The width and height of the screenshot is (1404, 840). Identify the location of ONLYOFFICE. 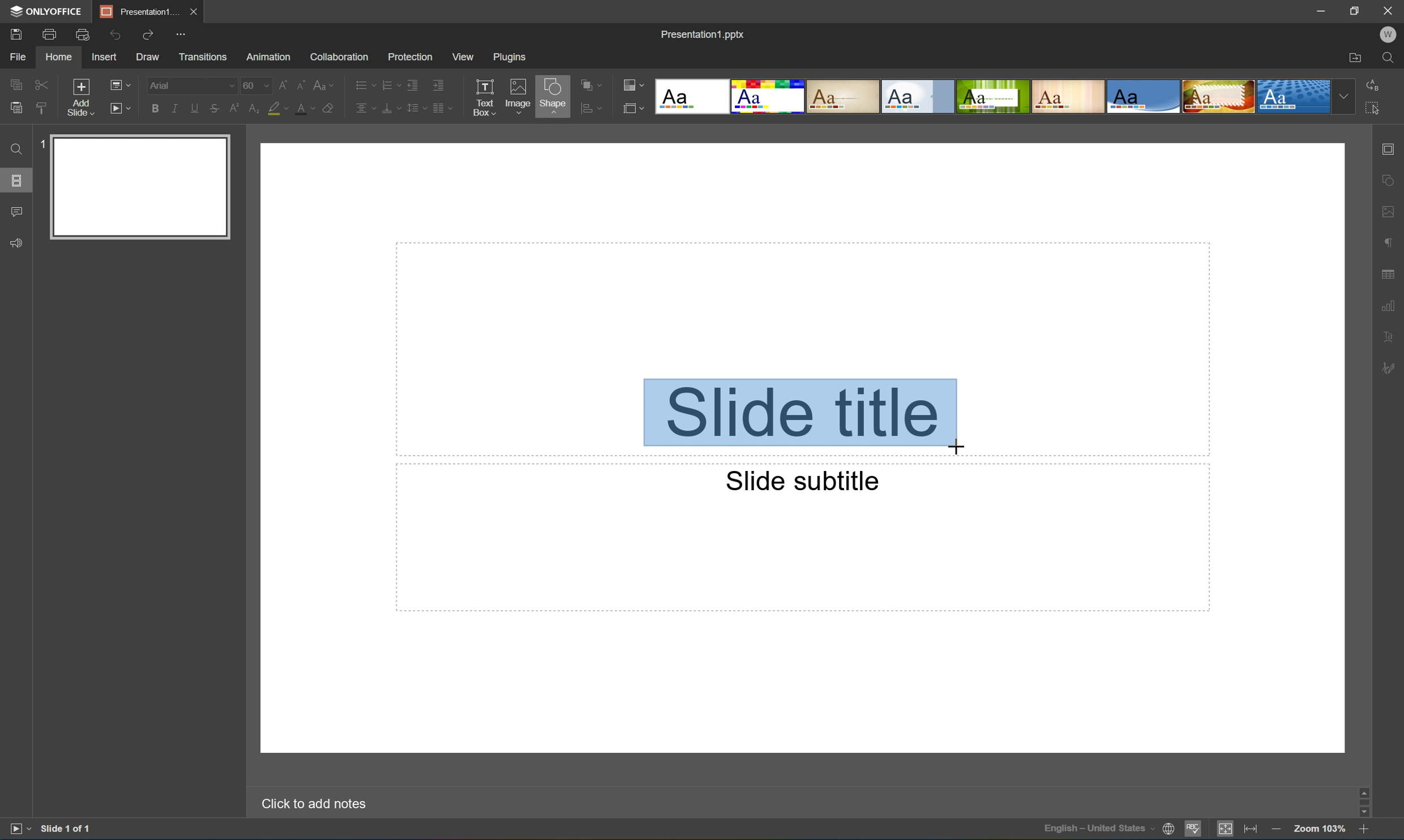
(48, 12).